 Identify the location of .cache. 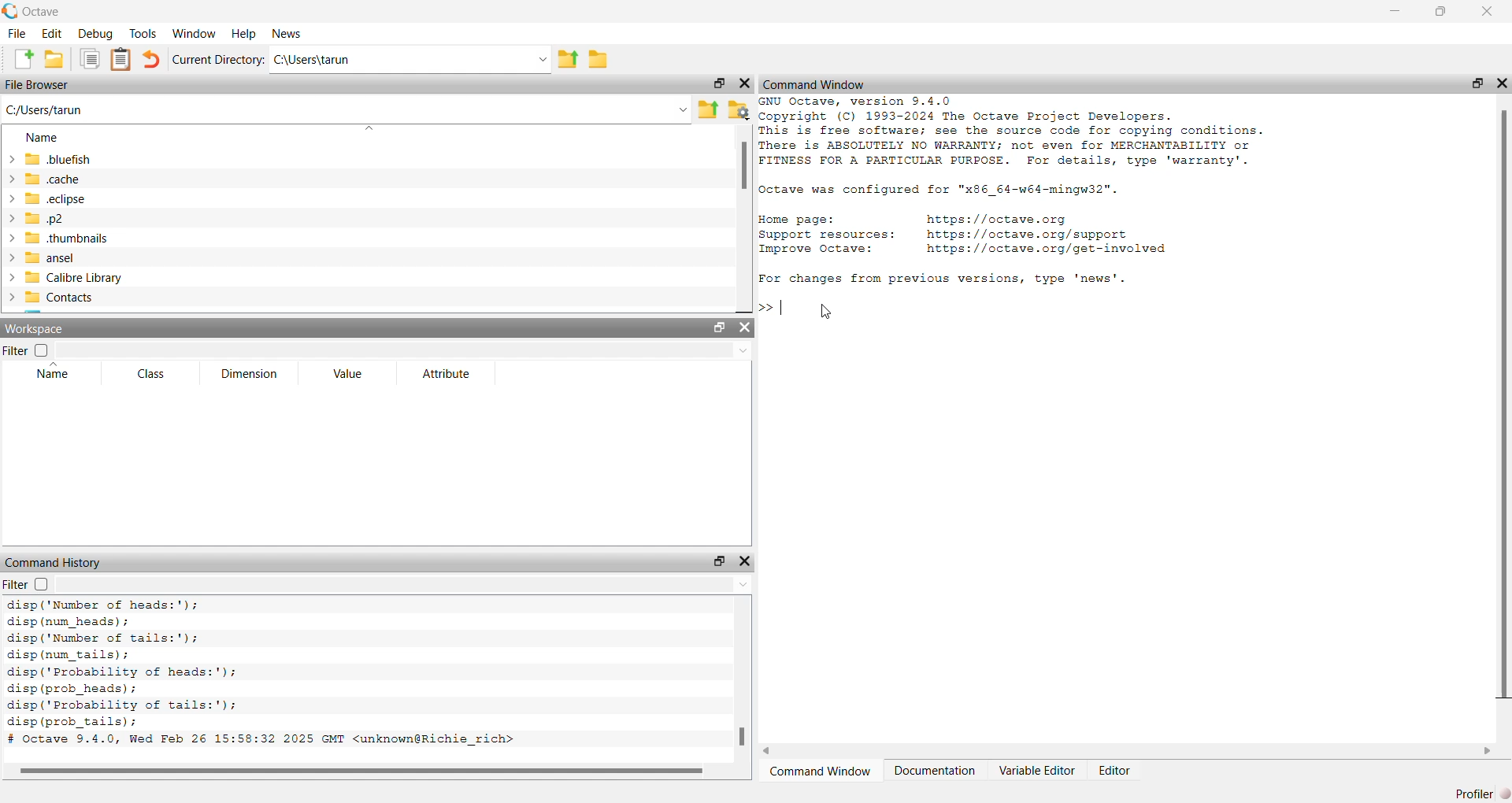
(53, 179).